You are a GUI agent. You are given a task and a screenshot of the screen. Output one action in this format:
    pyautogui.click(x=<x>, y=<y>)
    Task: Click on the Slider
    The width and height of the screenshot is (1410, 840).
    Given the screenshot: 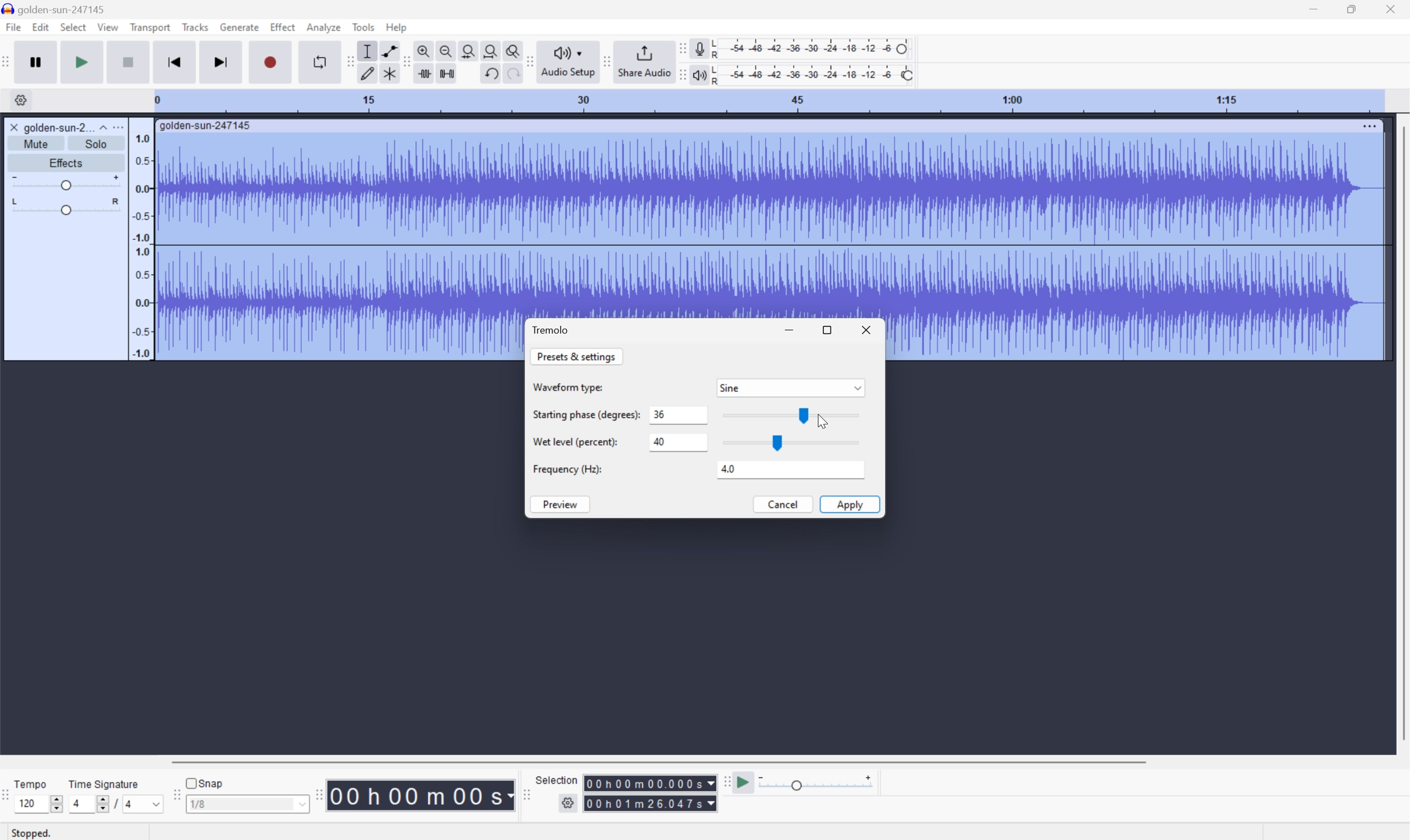 What is the action you would take?
    pyautogui.click(x=66, y=183)
    